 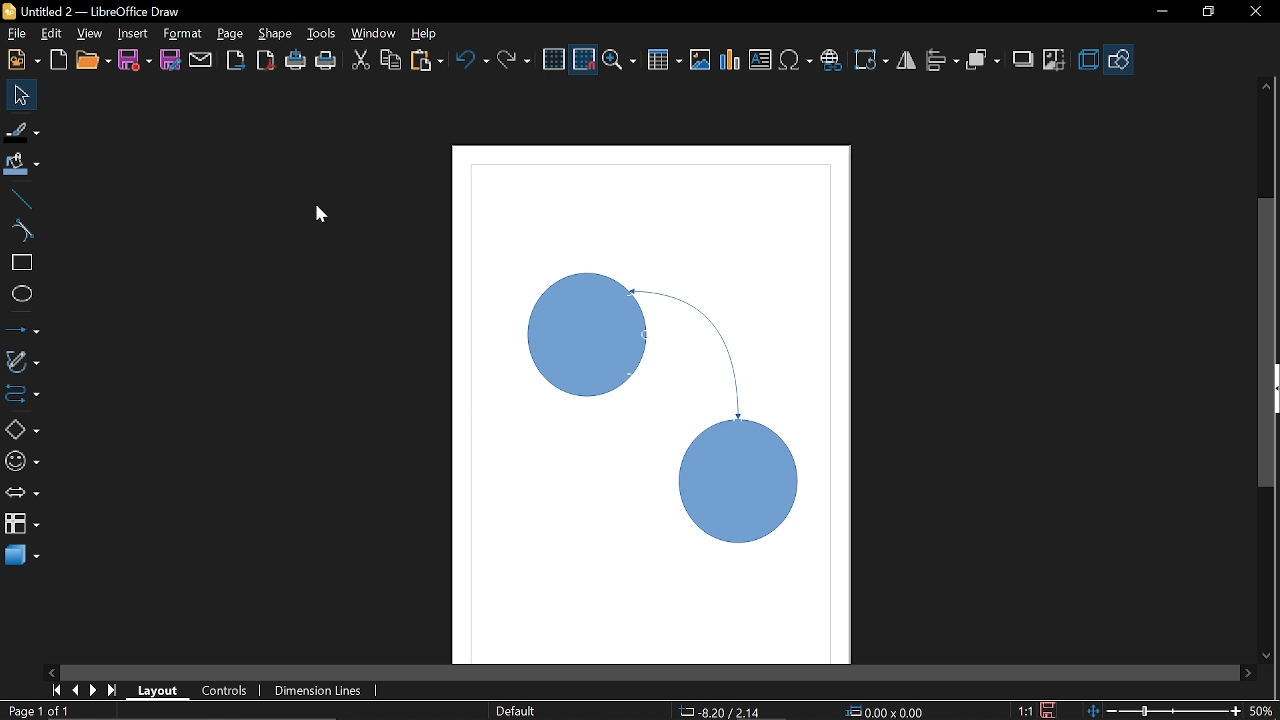 I want to click on Current page, so click(x=38, y=712).